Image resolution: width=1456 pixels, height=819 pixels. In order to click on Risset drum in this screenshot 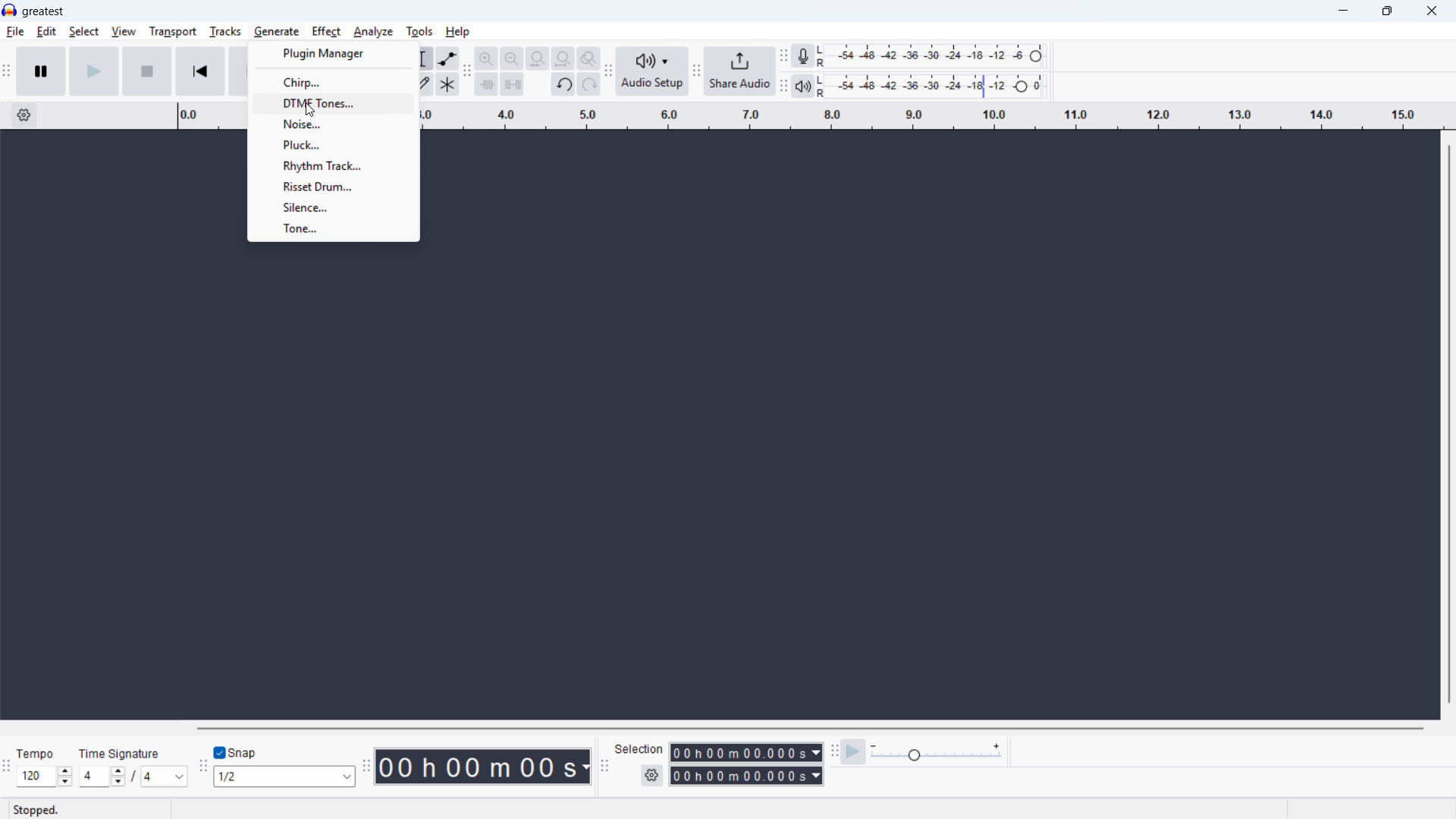, I will do `click(332, 187)`.